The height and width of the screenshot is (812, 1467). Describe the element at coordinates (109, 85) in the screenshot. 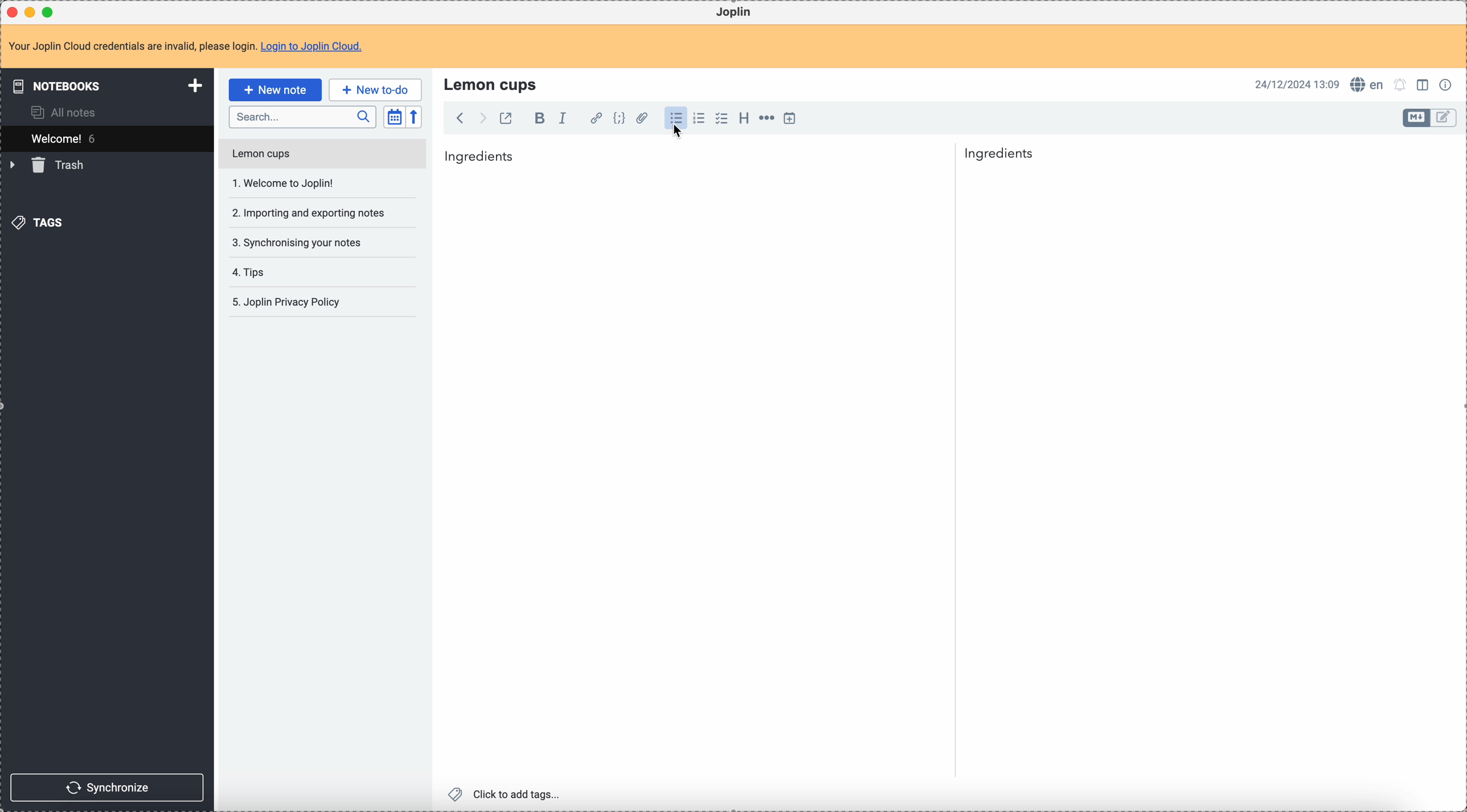

I see `notebooks` at that location.